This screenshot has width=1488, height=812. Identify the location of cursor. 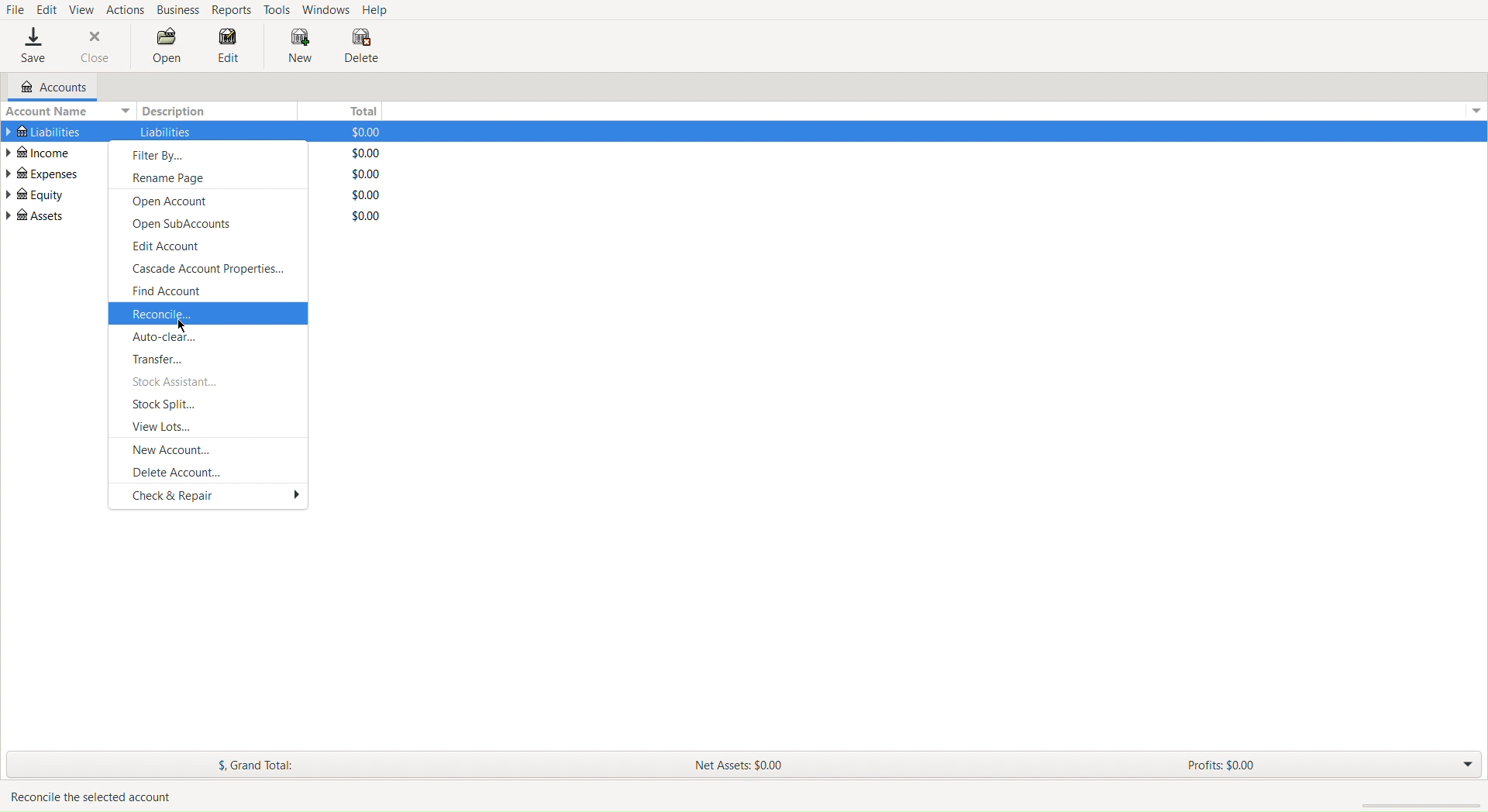
(184, 328).